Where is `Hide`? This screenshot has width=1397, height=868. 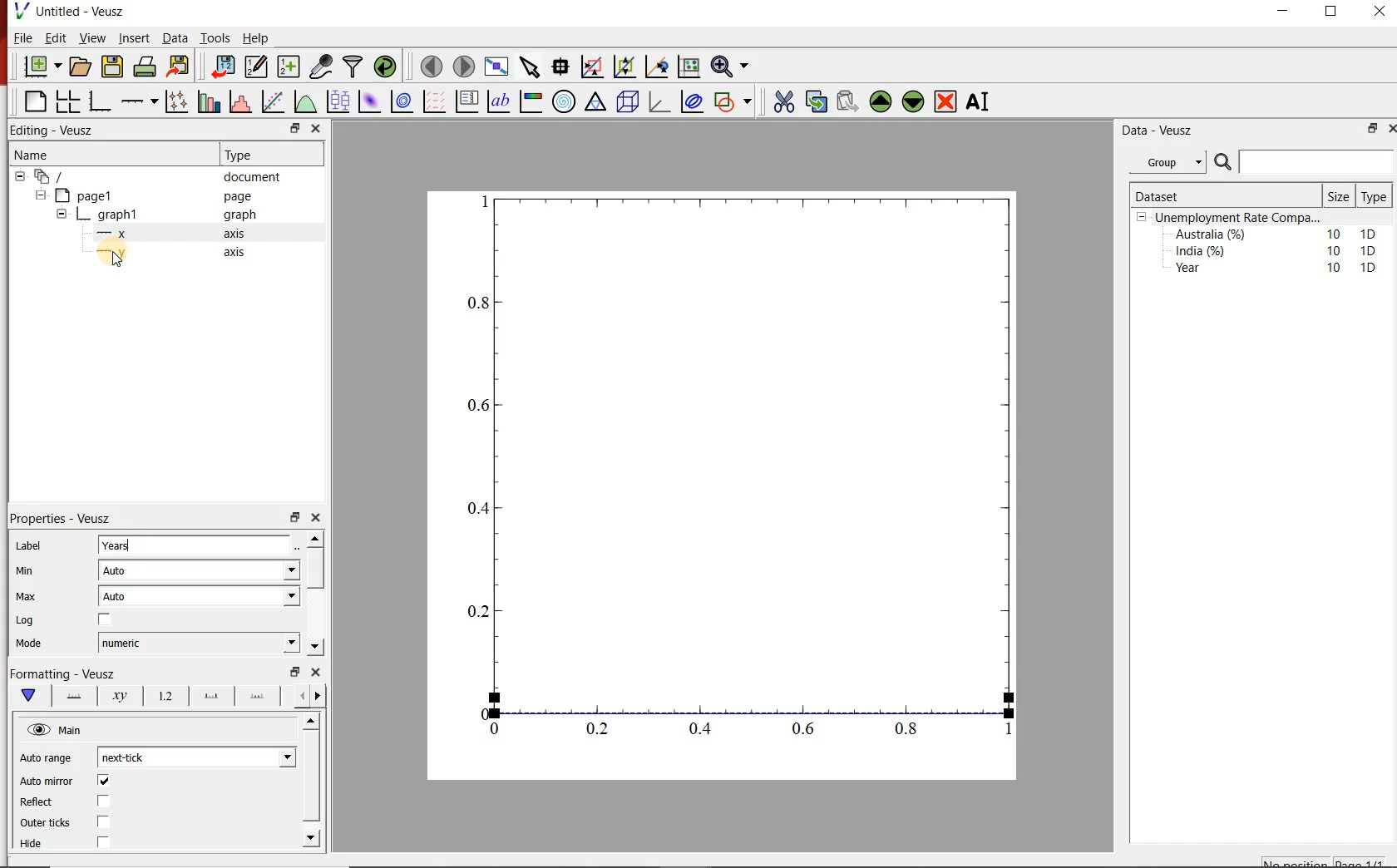
Hide is located at coordinates (32, 843).